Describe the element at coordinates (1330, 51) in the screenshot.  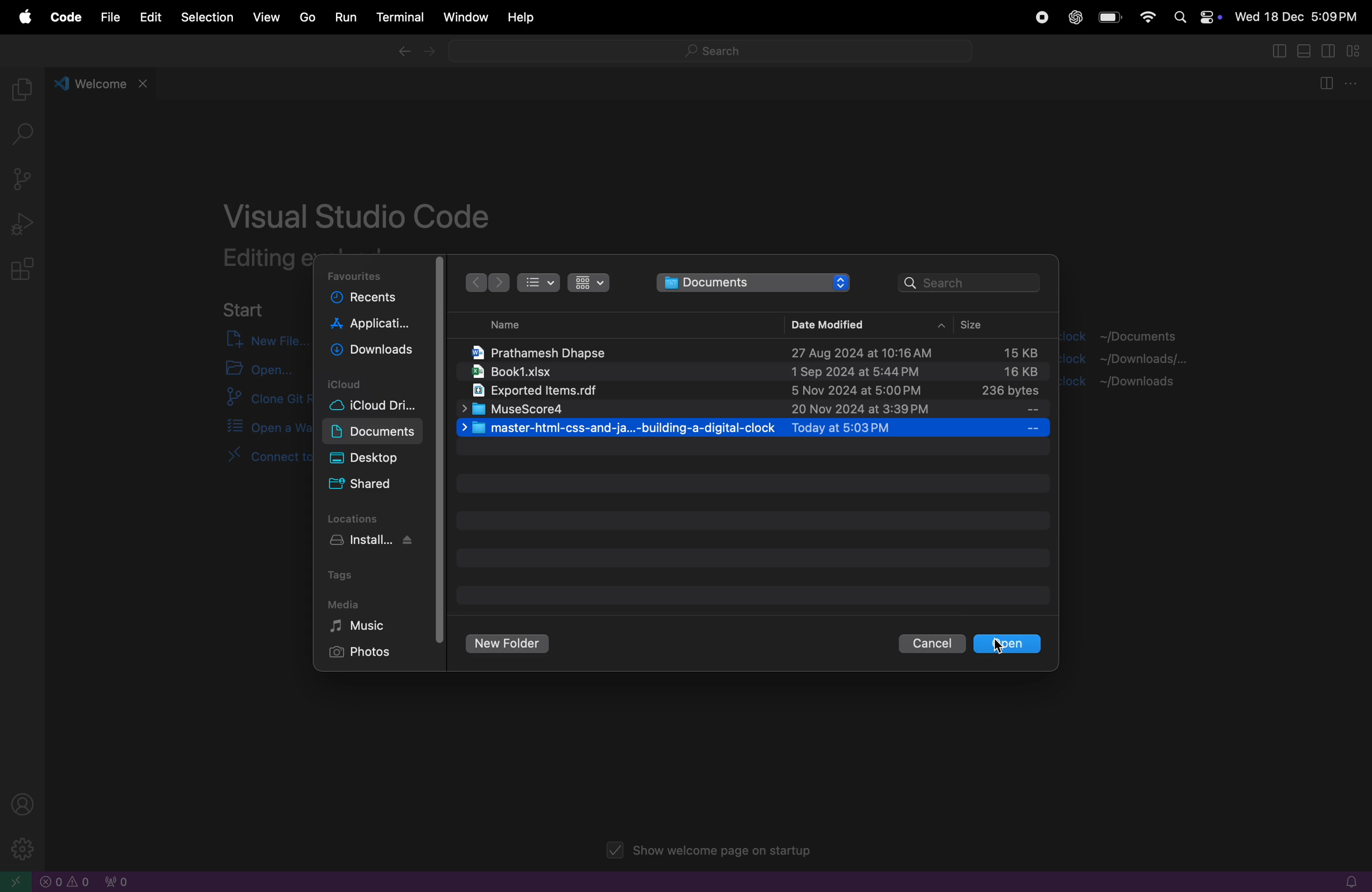
I see `toggle secondary side panel` at that location.